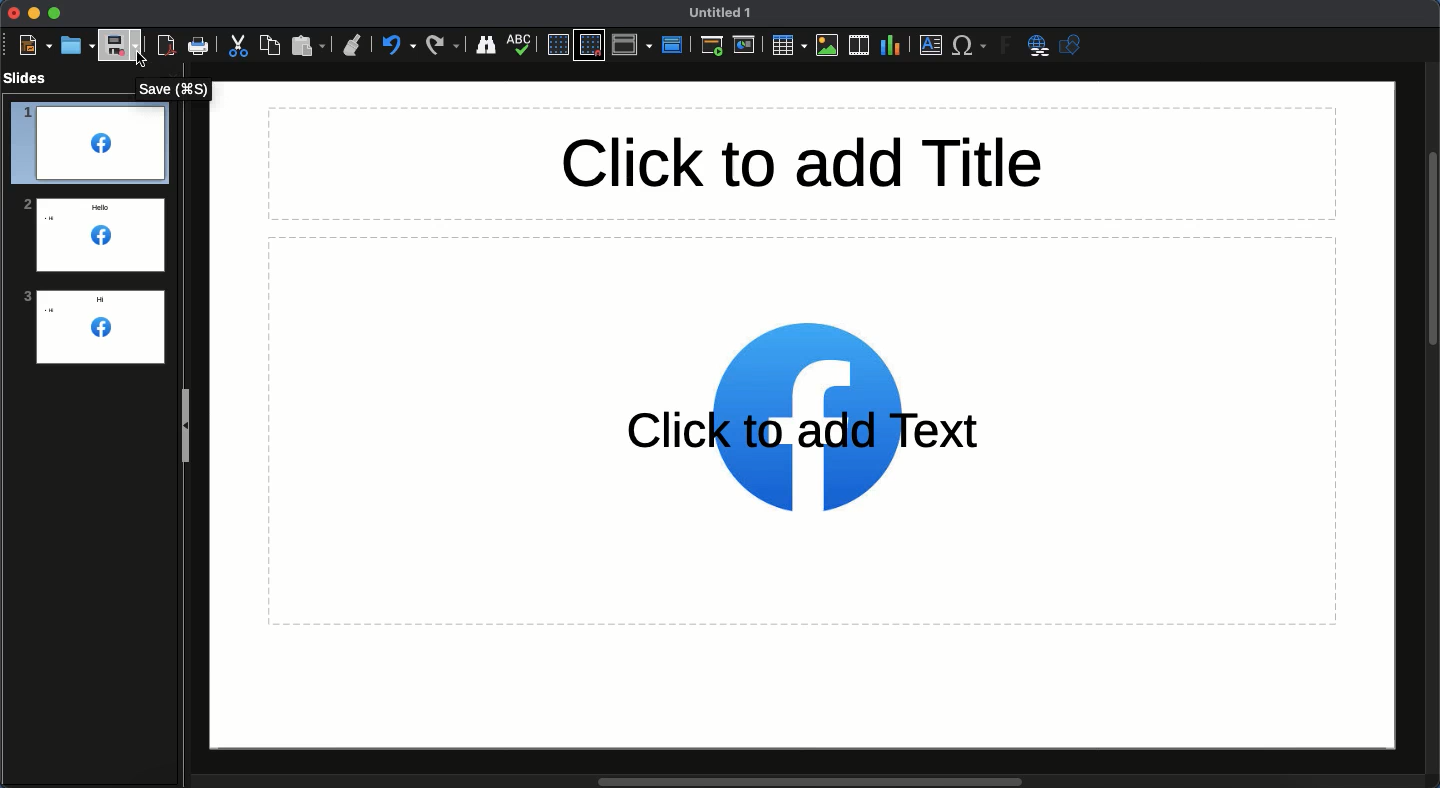  I want to click on Snap to grid, so click(589, 45).